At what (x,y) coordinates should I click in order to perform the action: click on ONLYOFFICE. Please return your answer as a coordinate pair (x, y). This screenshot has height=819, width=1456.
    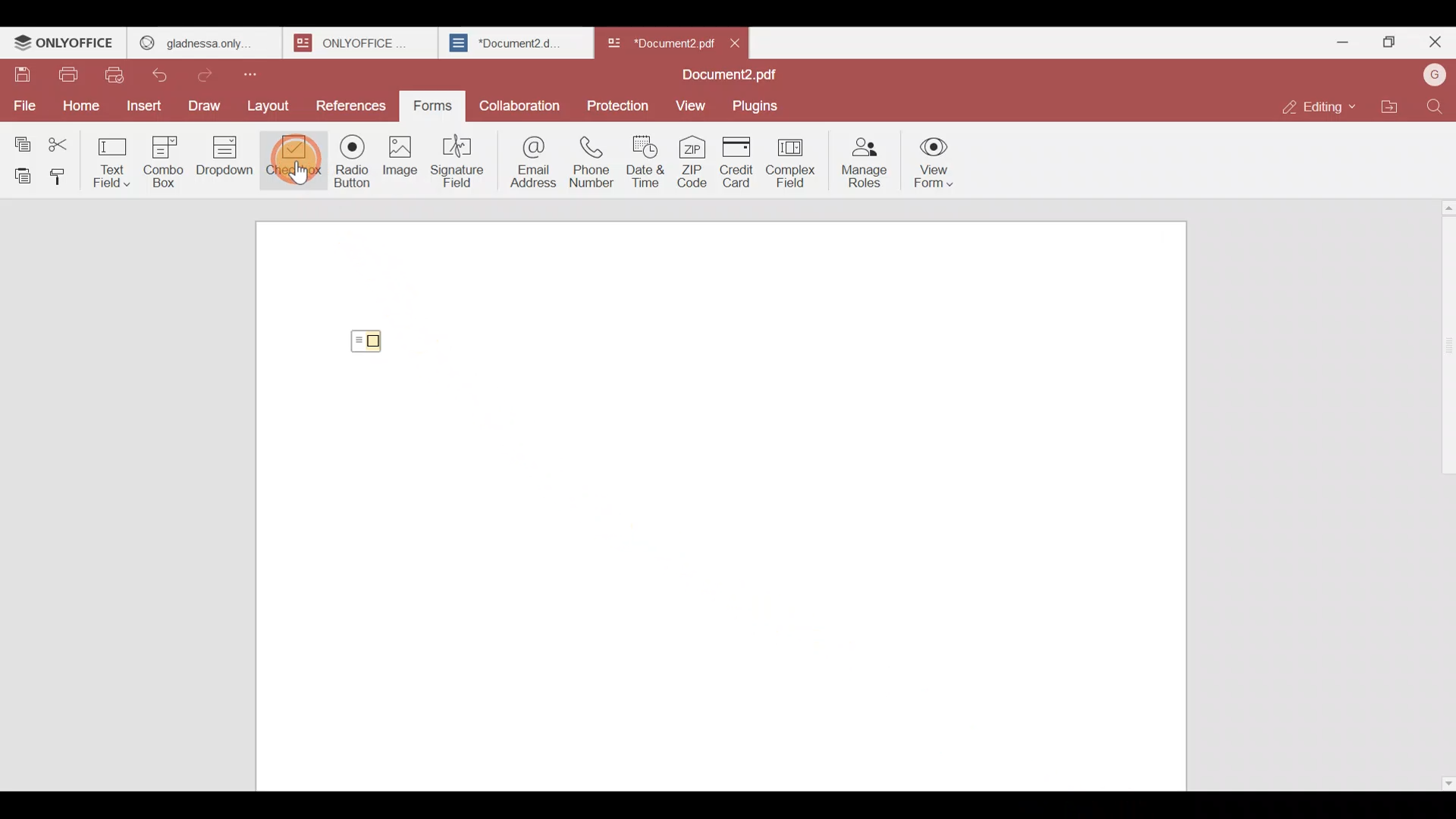
    Looking at the image, I should click on (64, 45).